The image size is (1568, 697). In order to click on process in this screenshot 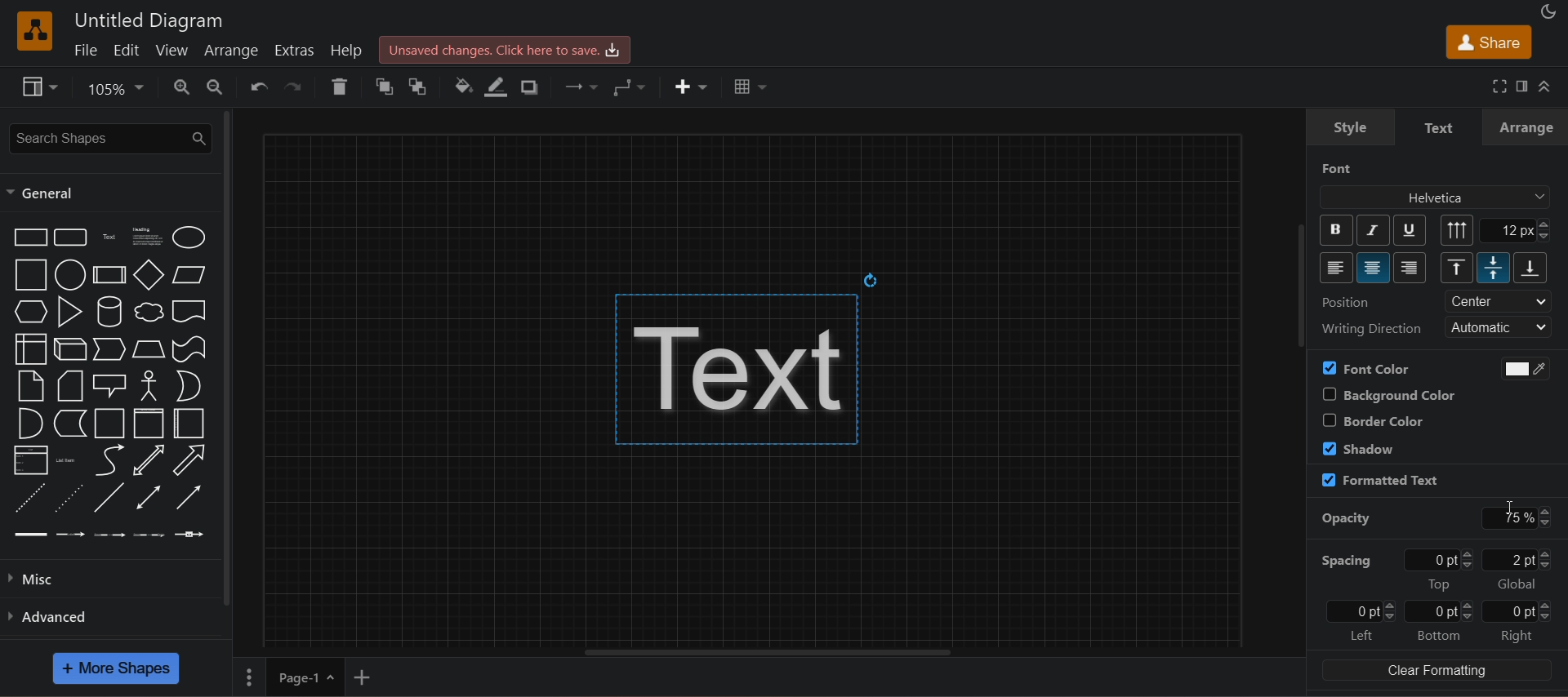, I will do `click(109, 275)`.